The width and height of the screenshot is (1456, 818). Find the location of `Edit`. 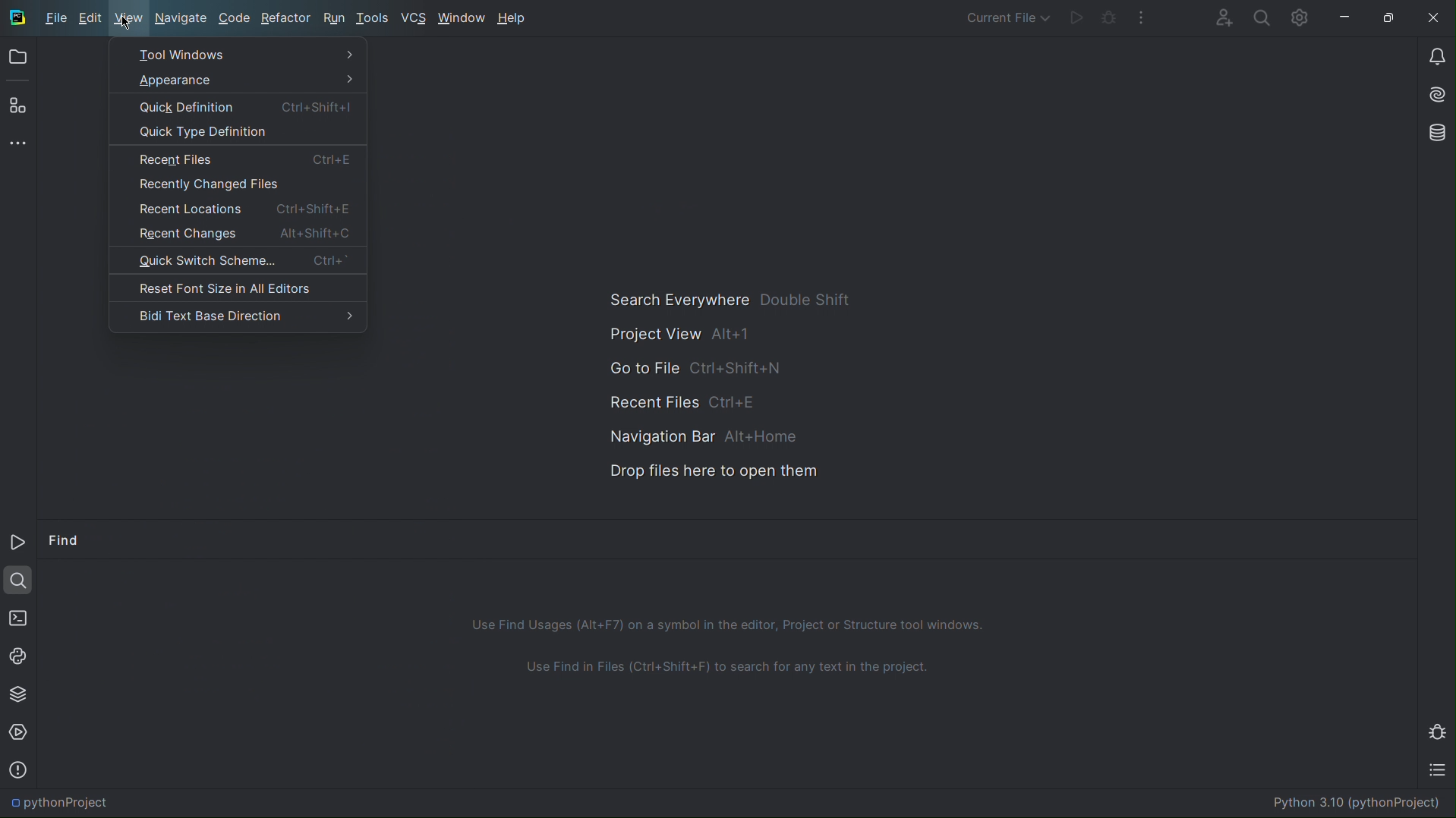

Edit is located at coordinates (93, 19).